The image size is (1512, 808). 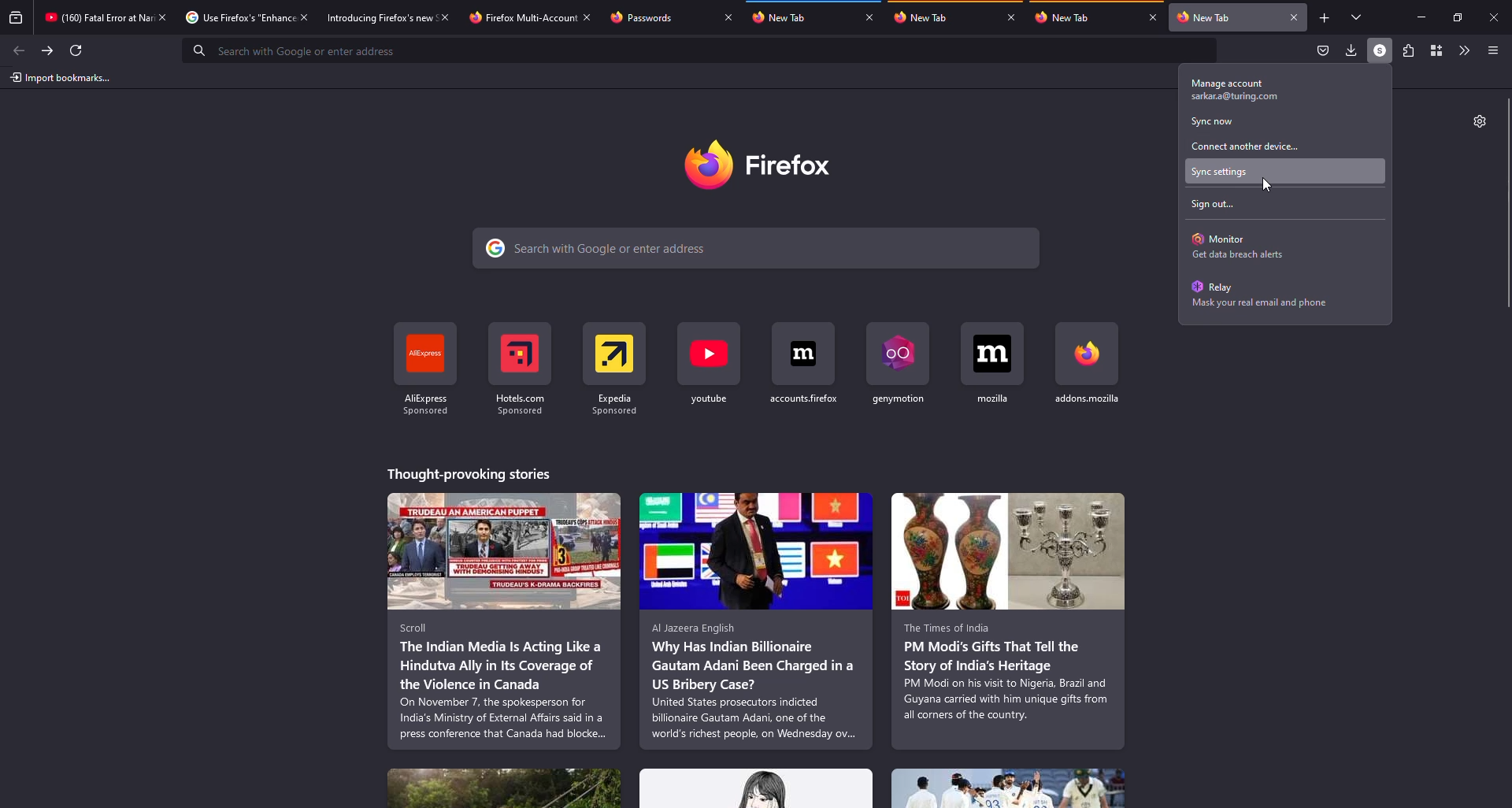 What do you see at coordinates (728, 17) in the screenshot?
I see `close` at bounding box center [728, 17].